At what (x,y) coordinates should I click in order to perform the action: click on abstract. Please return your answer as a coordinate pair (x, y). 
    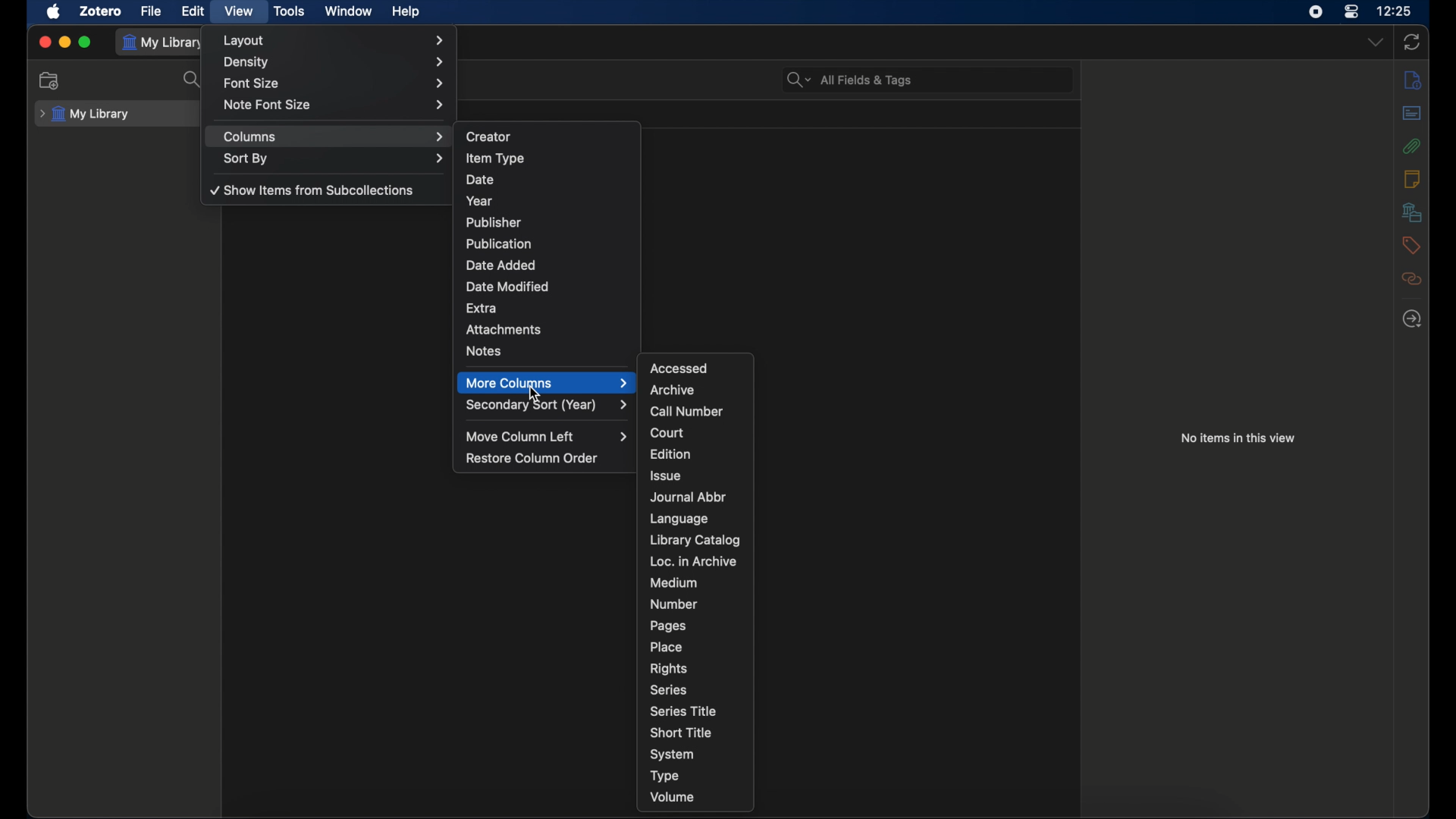
    Looking at the image, I should click on (1412, 112).